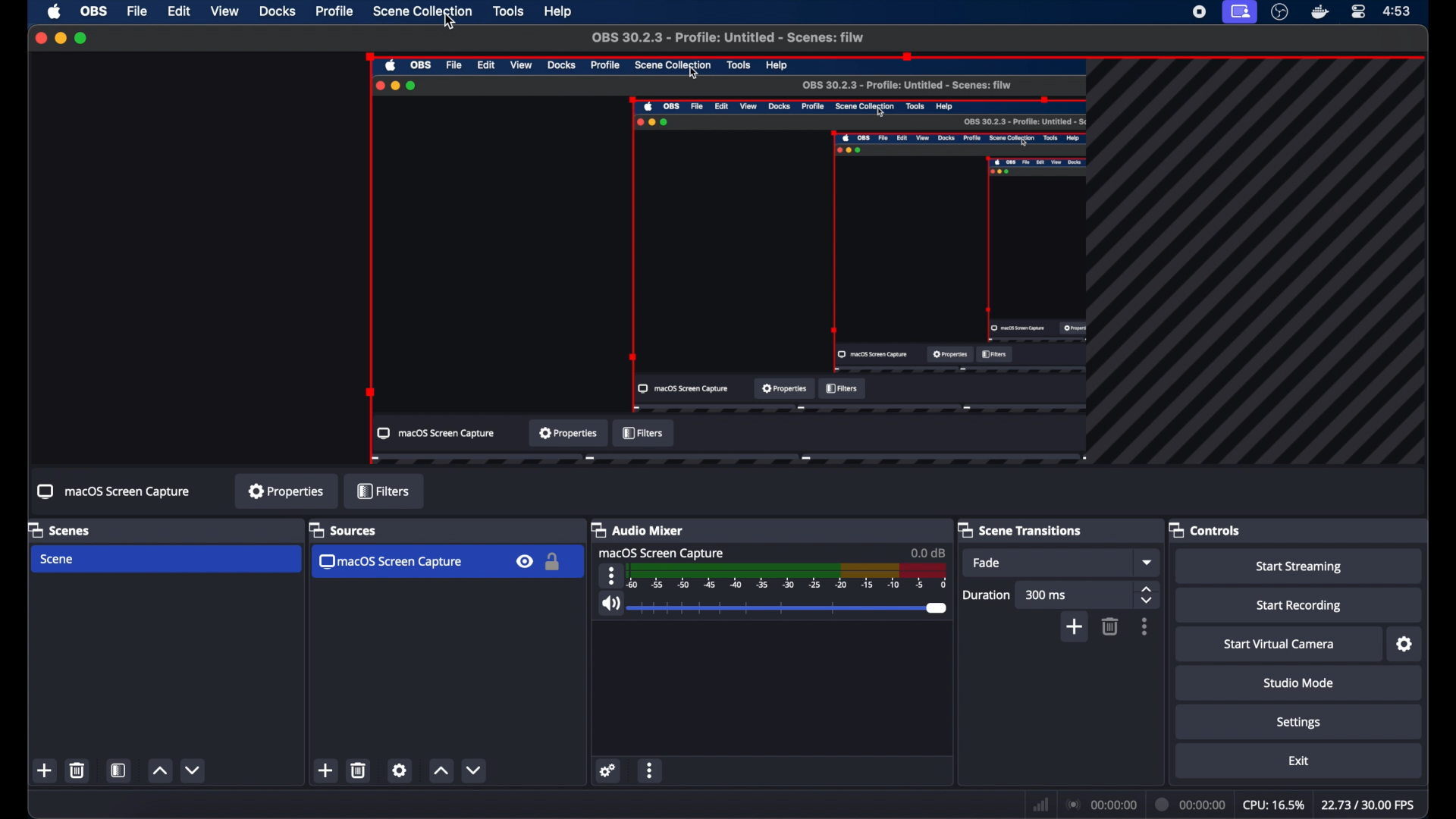 Image resolution: width=1456 pixels, height=819 pixels. Describe the element at coordinates (1075, 628) in the screenshot. I see `add scene transition` at that location.